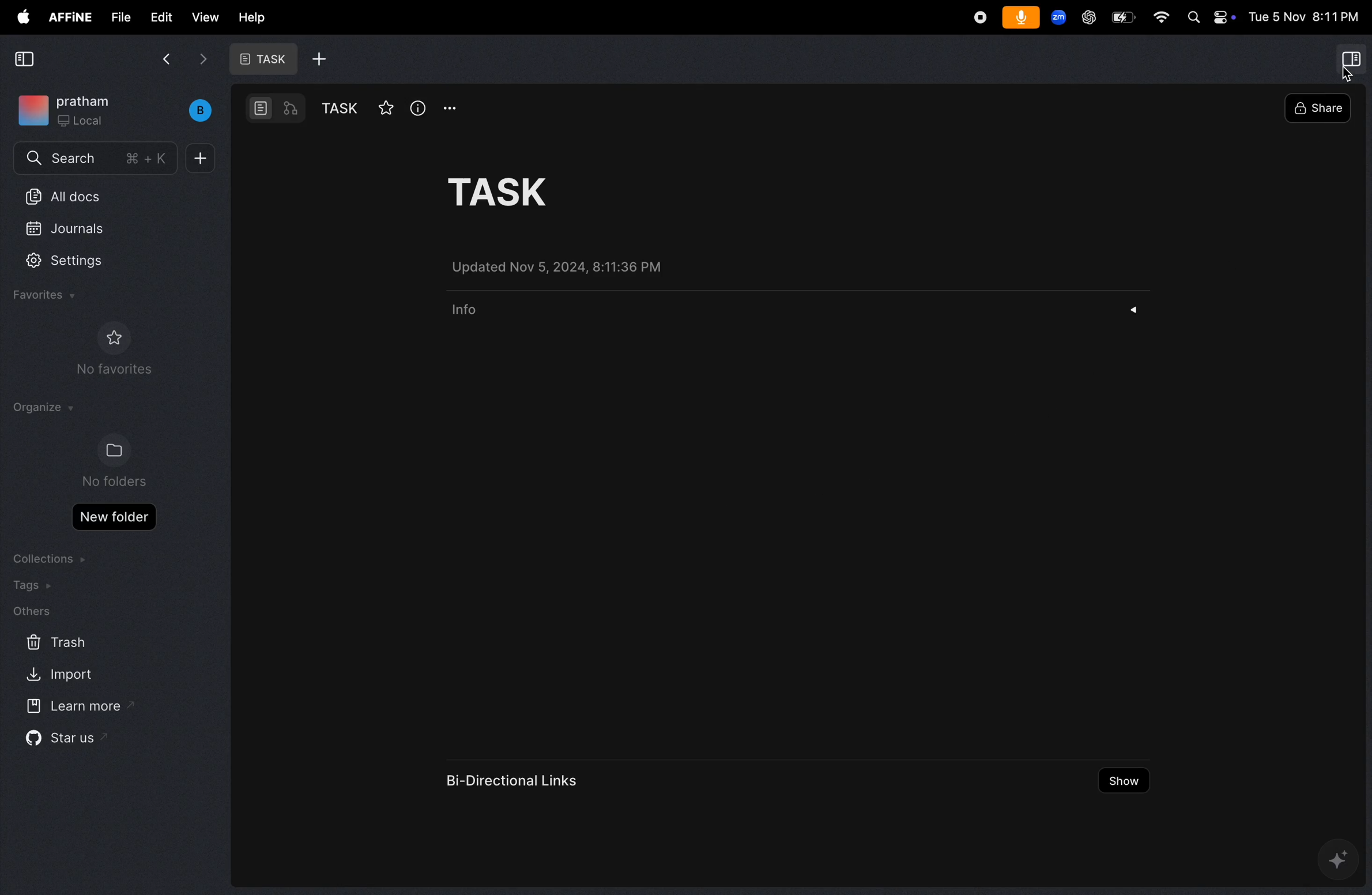 Image resolution: width=1372 pixels, height=895 pixels. Describe the element at coordinates (262, 108) in the screenshot. I see `doc` at that location.